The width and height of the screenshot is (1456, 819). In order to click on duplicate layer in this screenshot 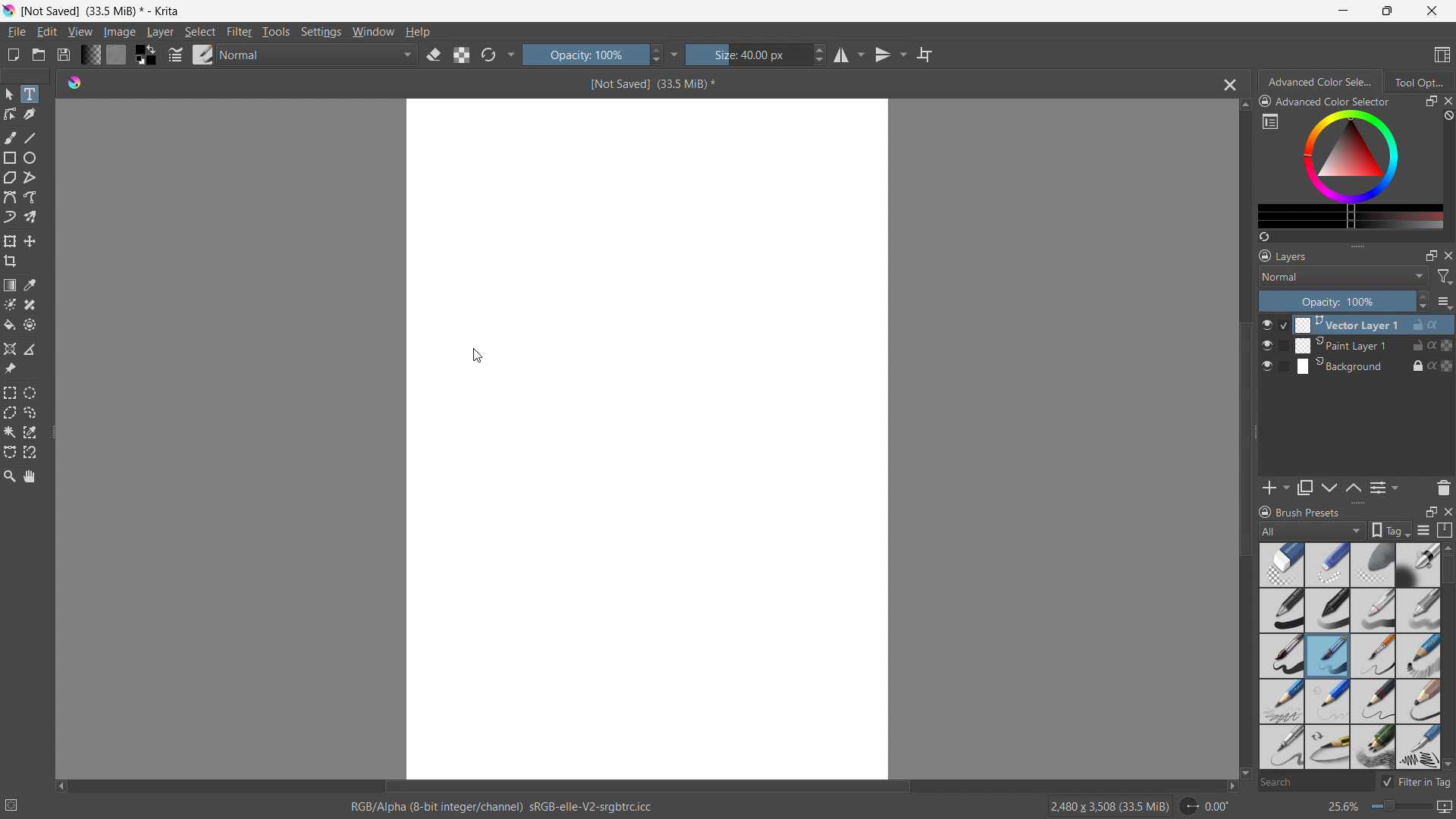, I will do `click(1305, 488)`.